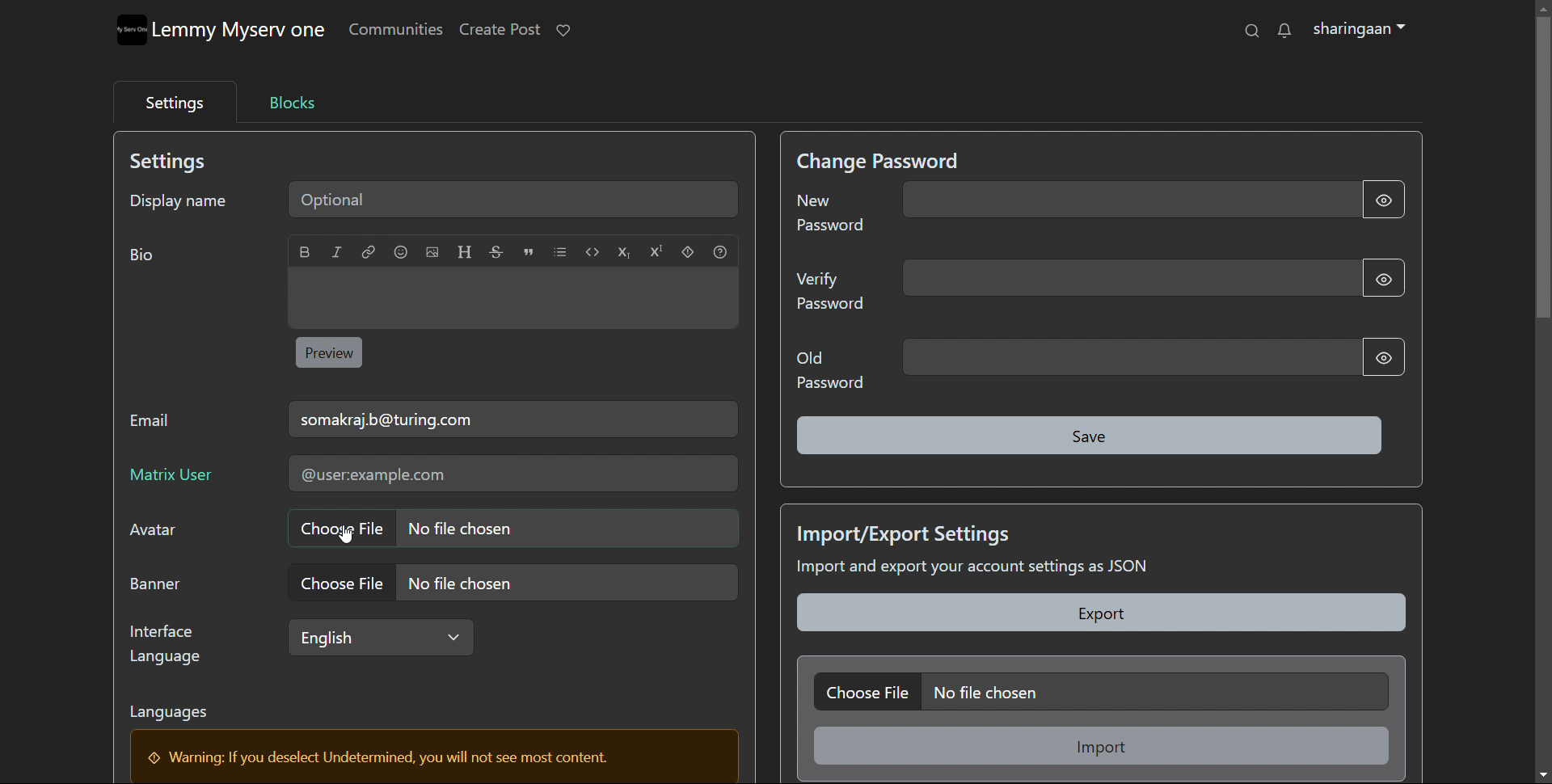  Describe the element at coordinates (1091, 436) in the screenshot. I see `save` at that location.